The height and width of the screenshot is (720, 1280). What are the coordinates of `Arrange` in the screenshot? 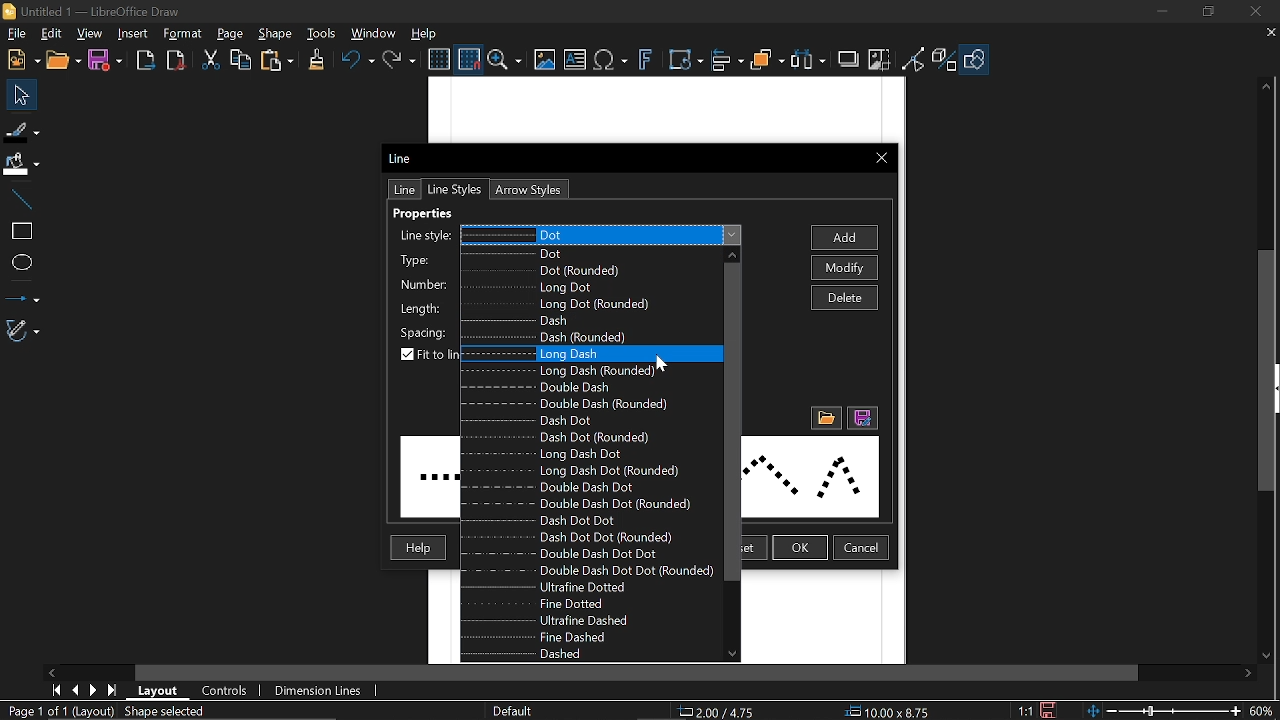 It's located at (768, 60).